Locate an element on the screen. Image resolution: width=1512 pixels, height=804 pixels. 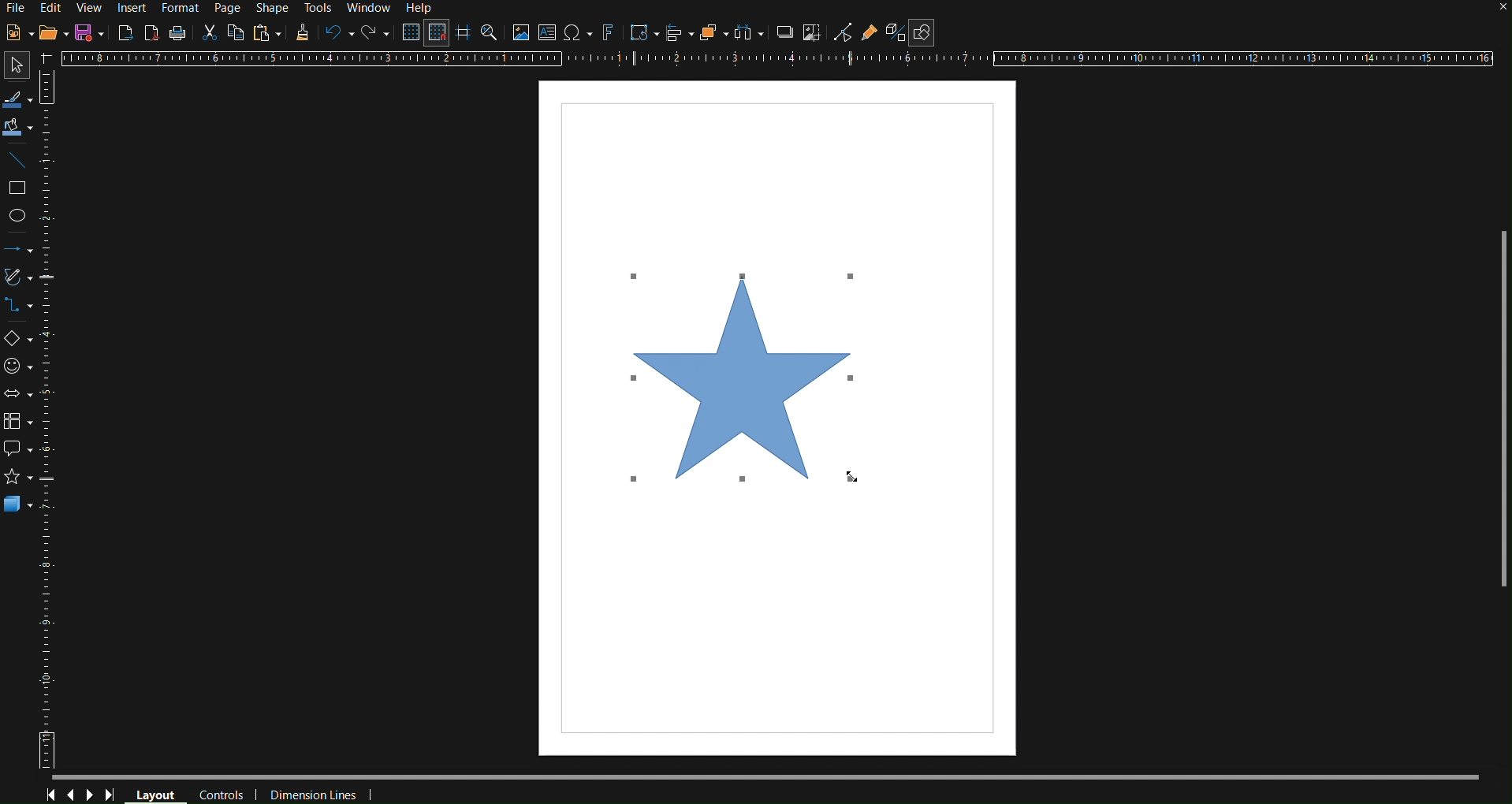
Transformations is located at coordinates (642, 34).